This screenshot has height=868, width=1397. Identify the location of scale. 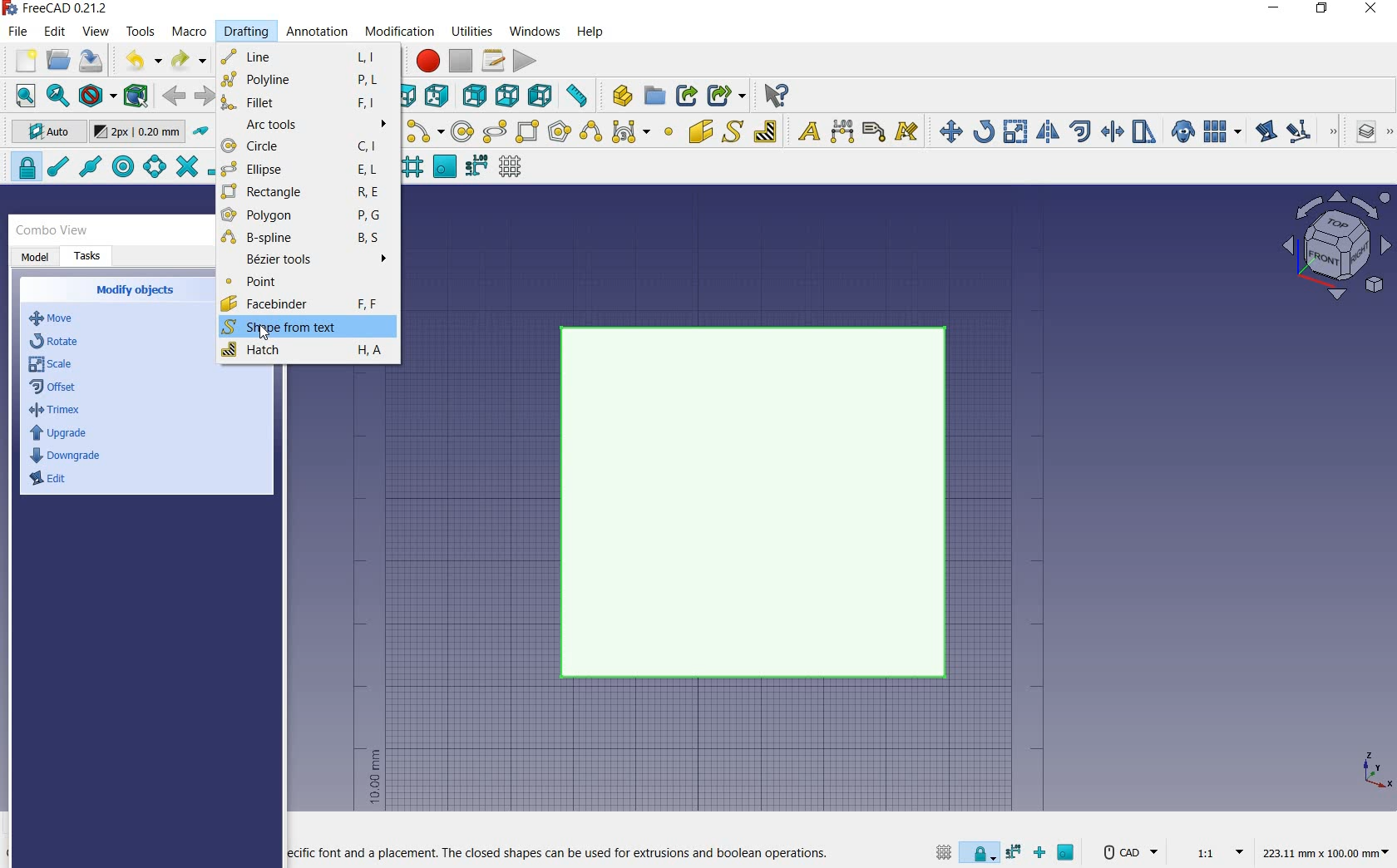
(1015, 133).